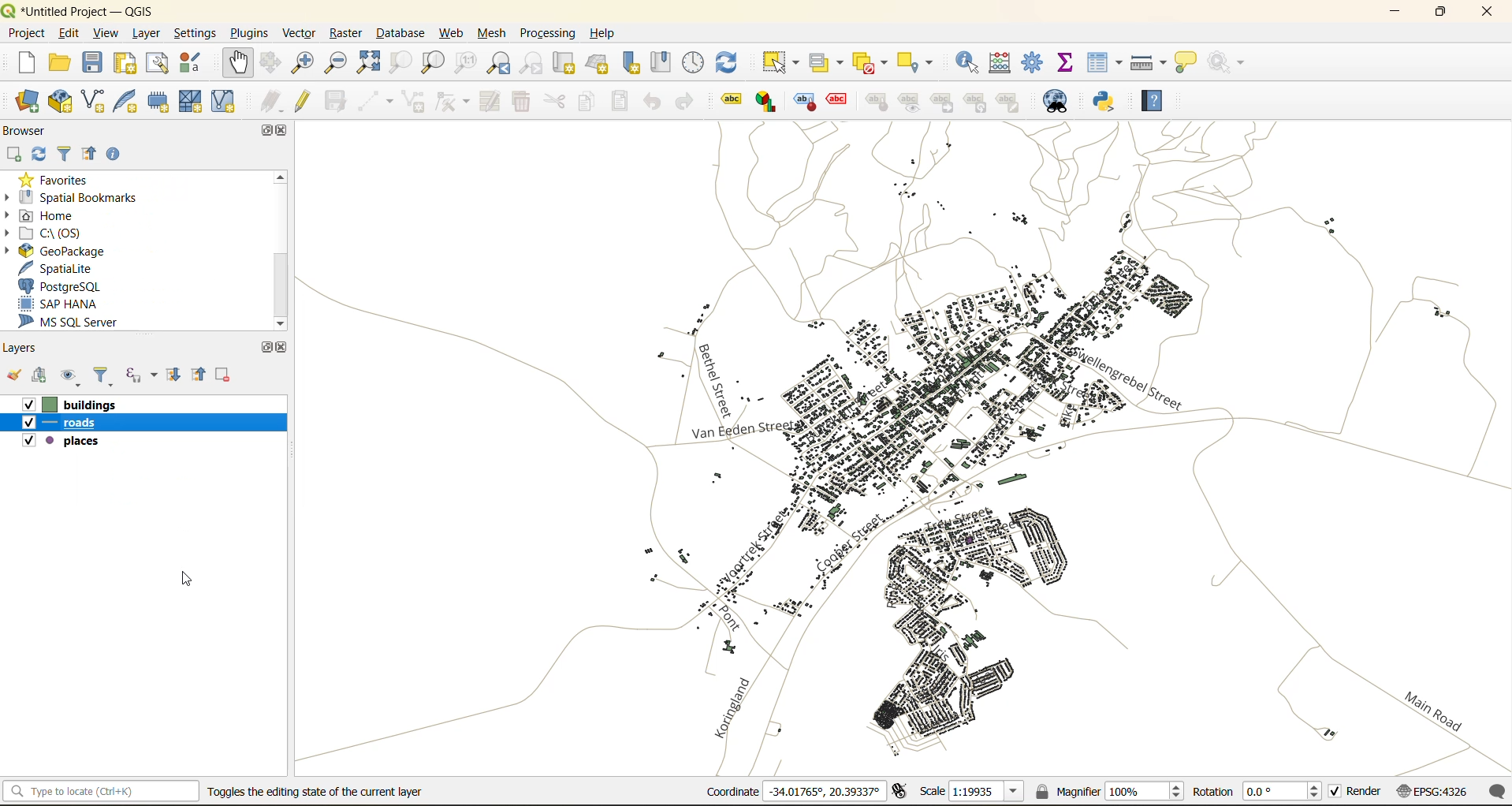  What do you see at coordinates (125, 65) in the screenshot?
I see `print layout` at bounding box center [125, 65].